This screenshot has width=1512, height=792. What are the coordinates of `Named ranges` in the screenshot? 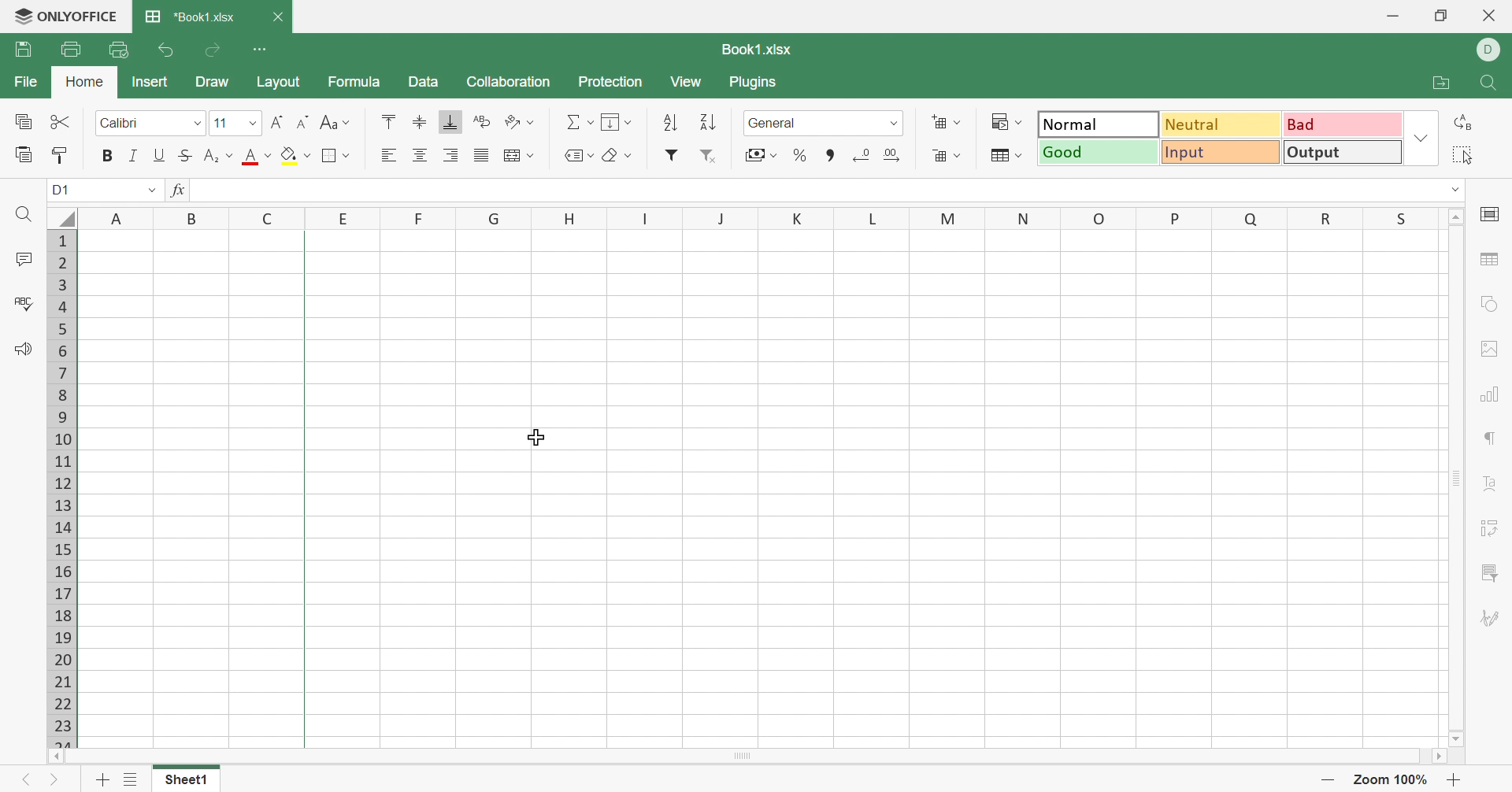 It's located at (572, 156).